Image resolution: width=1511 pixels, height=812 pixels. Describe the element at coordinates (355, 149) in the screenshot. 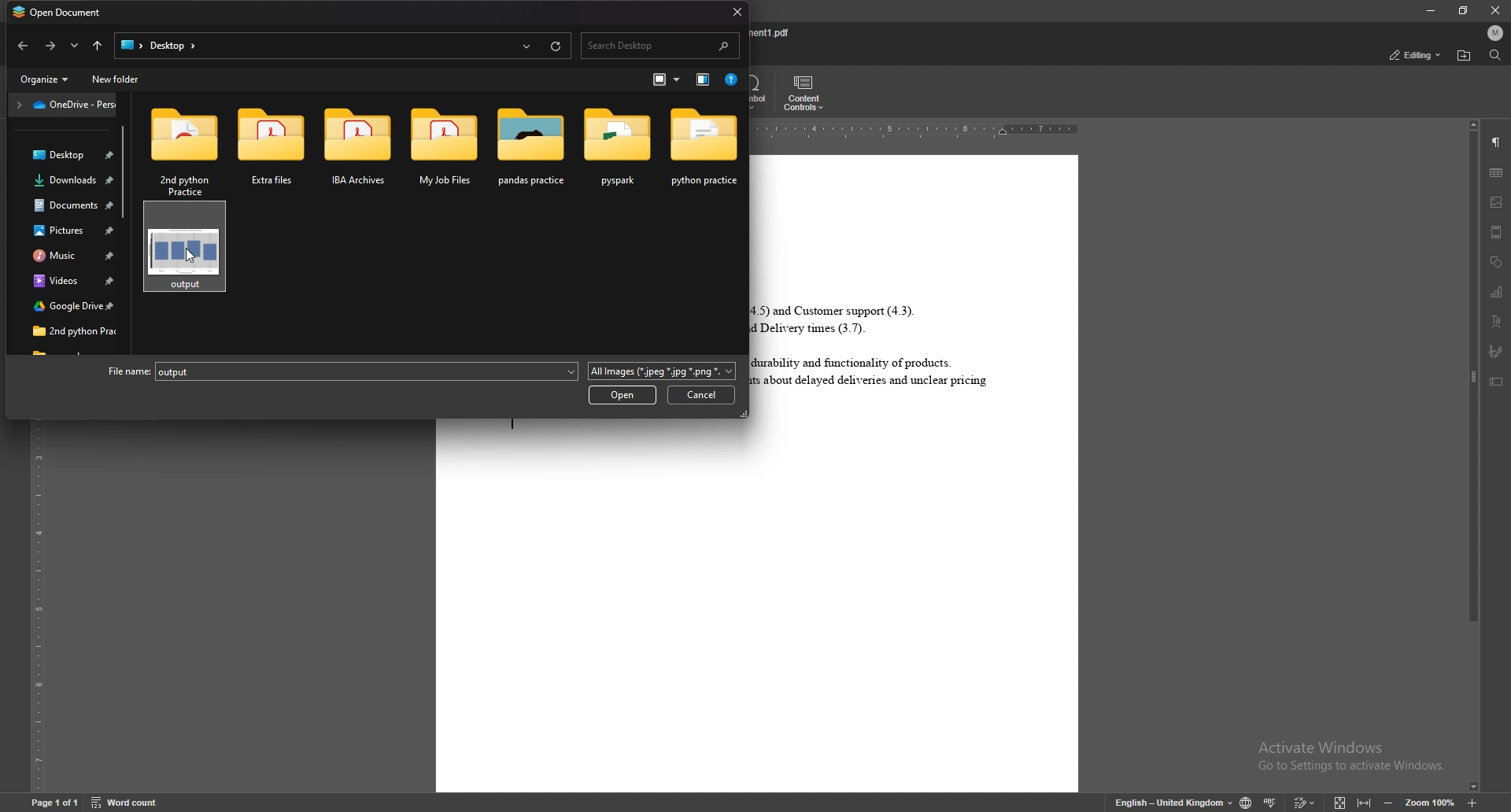

I see `folder` at that location.